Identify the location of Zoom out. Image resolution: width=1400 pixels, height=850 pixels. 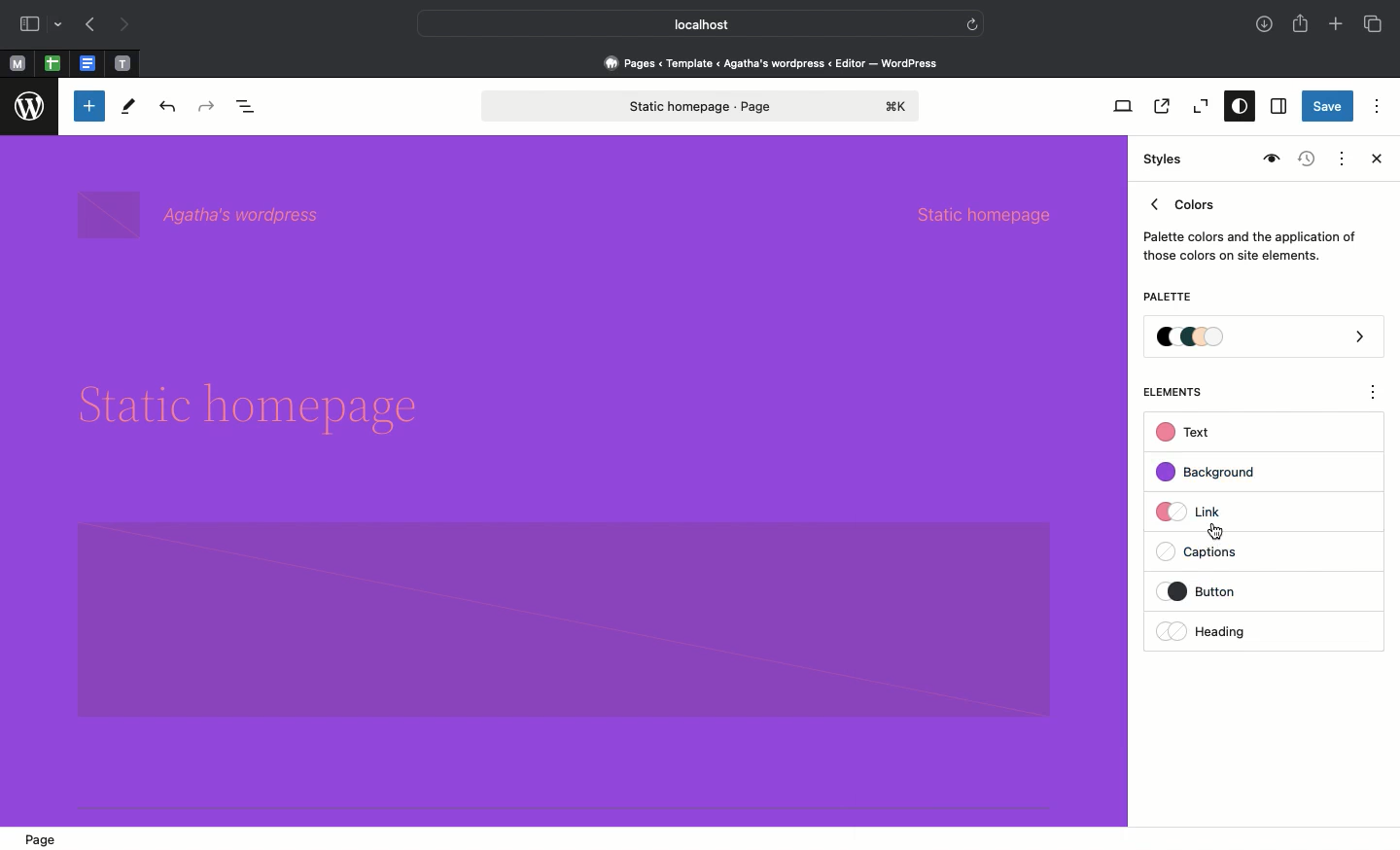
(1198, 107).